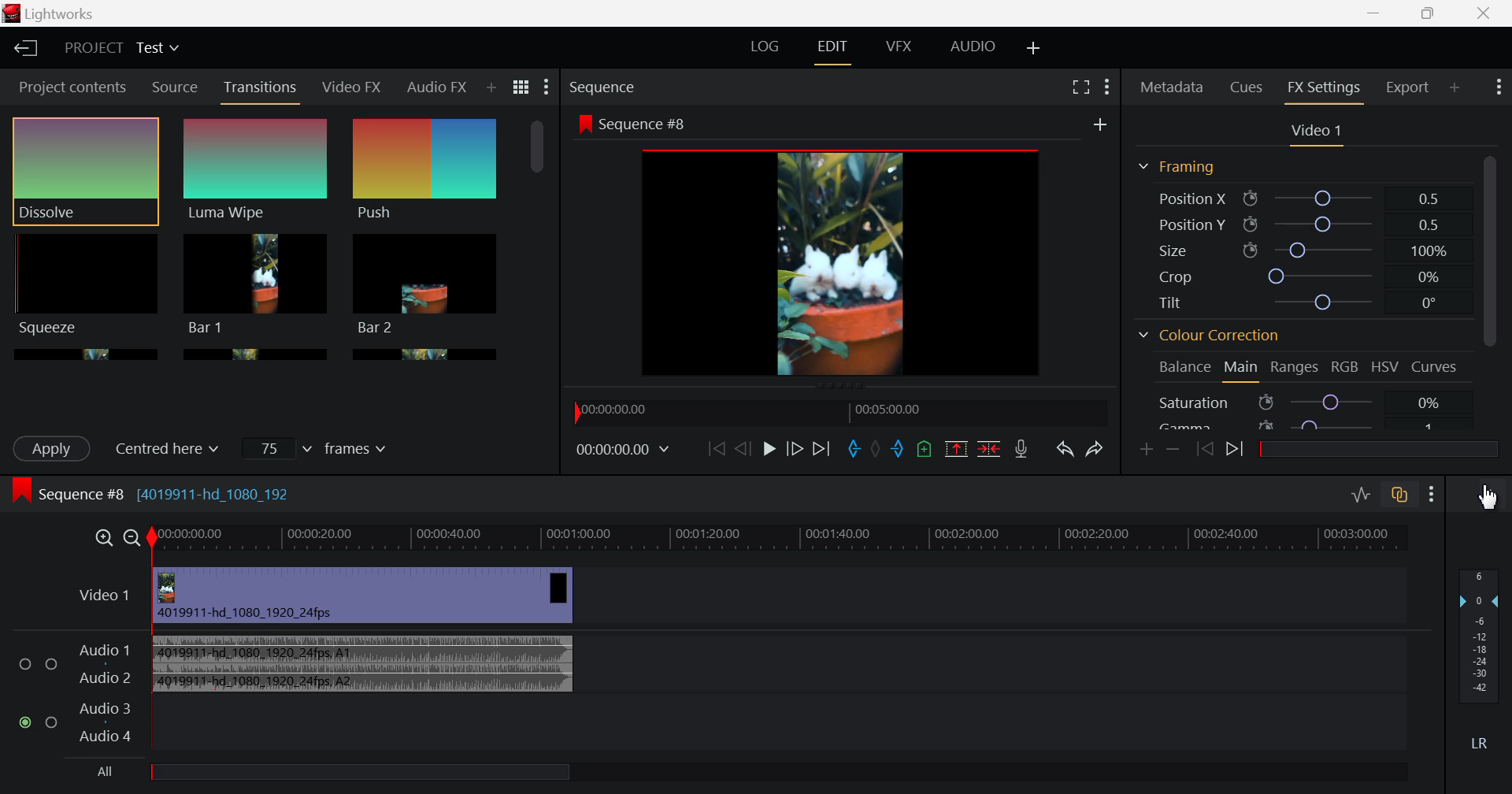 Image resolution: width=1512 pixels, height=794 pixels. I want to click on RGB, so click(1347, 367).